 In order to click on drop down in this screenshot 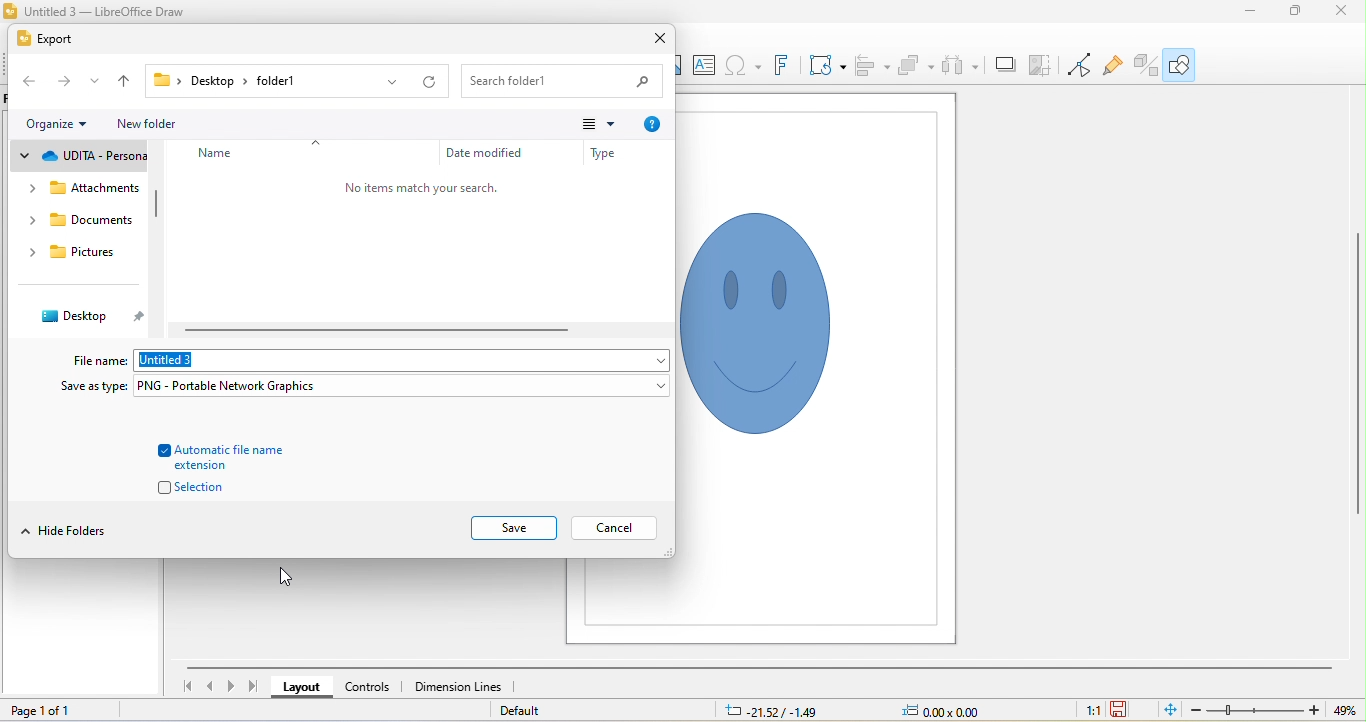, I will do `click(35, 222)`.